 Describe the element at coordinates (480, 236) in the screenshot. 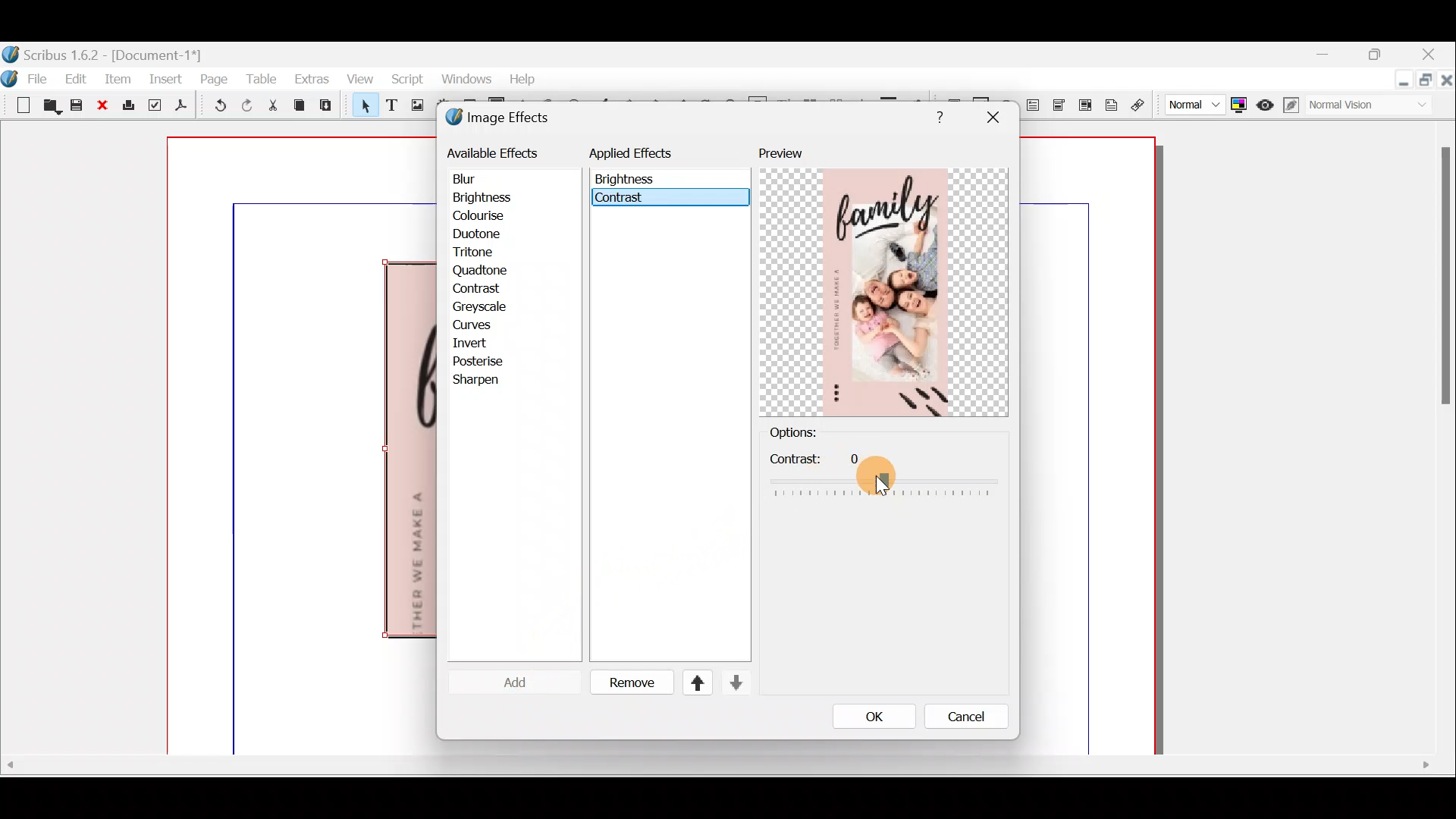

I see `Duotone` at that location.